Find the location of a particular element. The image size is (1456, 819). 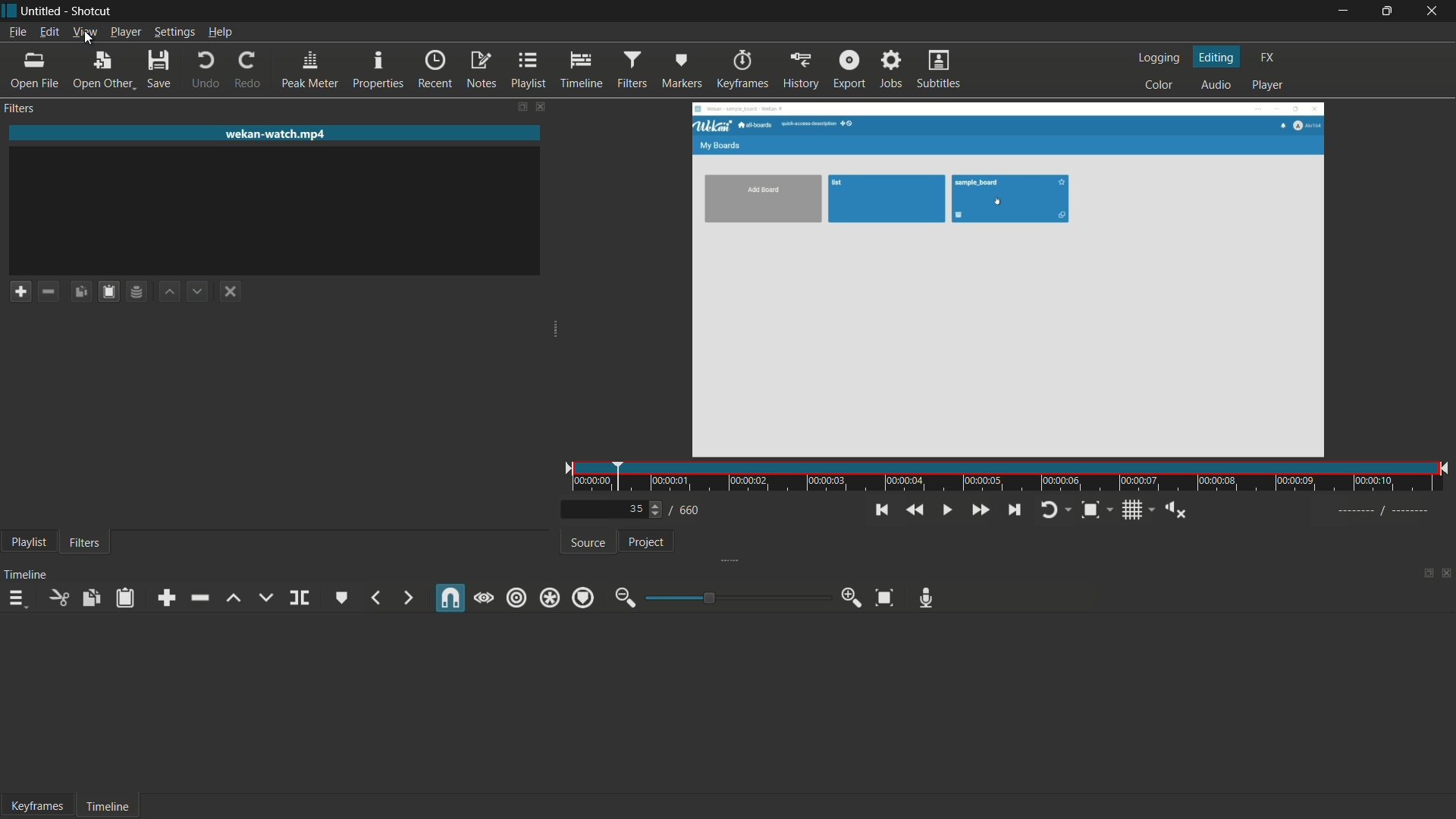

toggle player looping is located at coordinates (1055, 510).